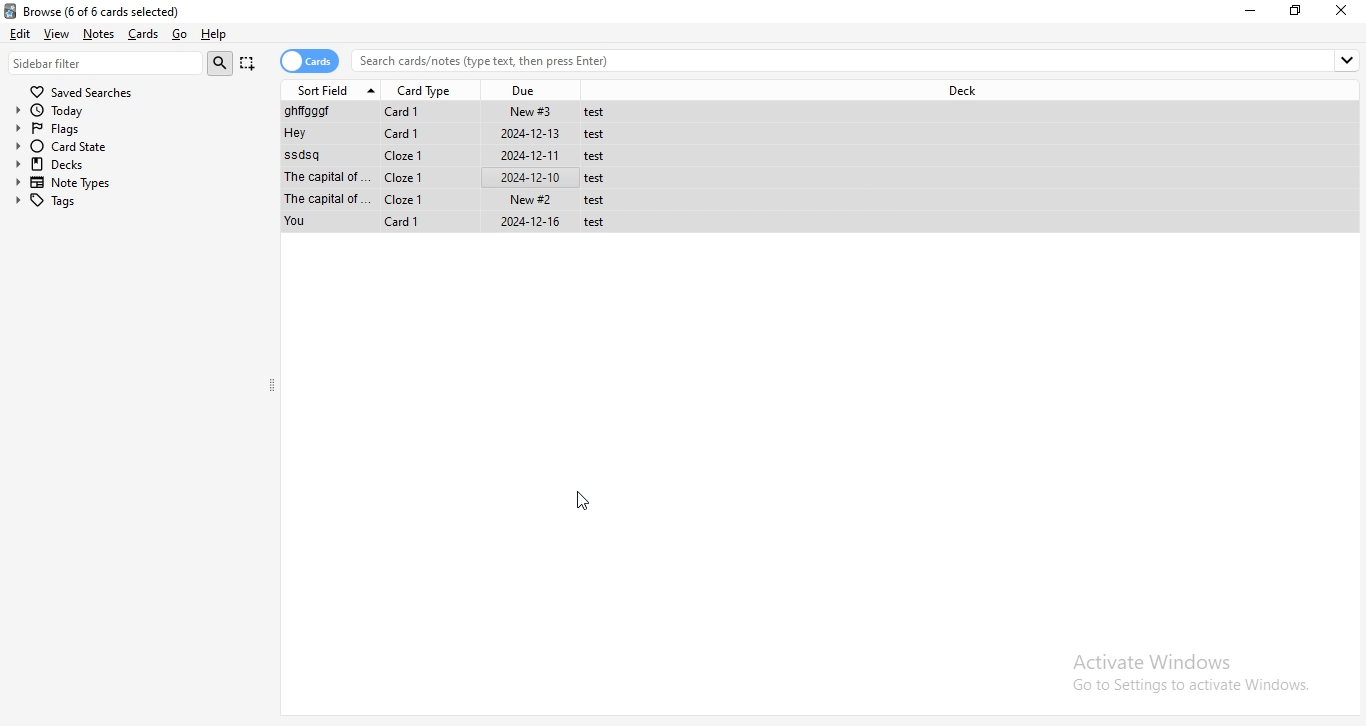  I want to click on close, so click(1343, 11).